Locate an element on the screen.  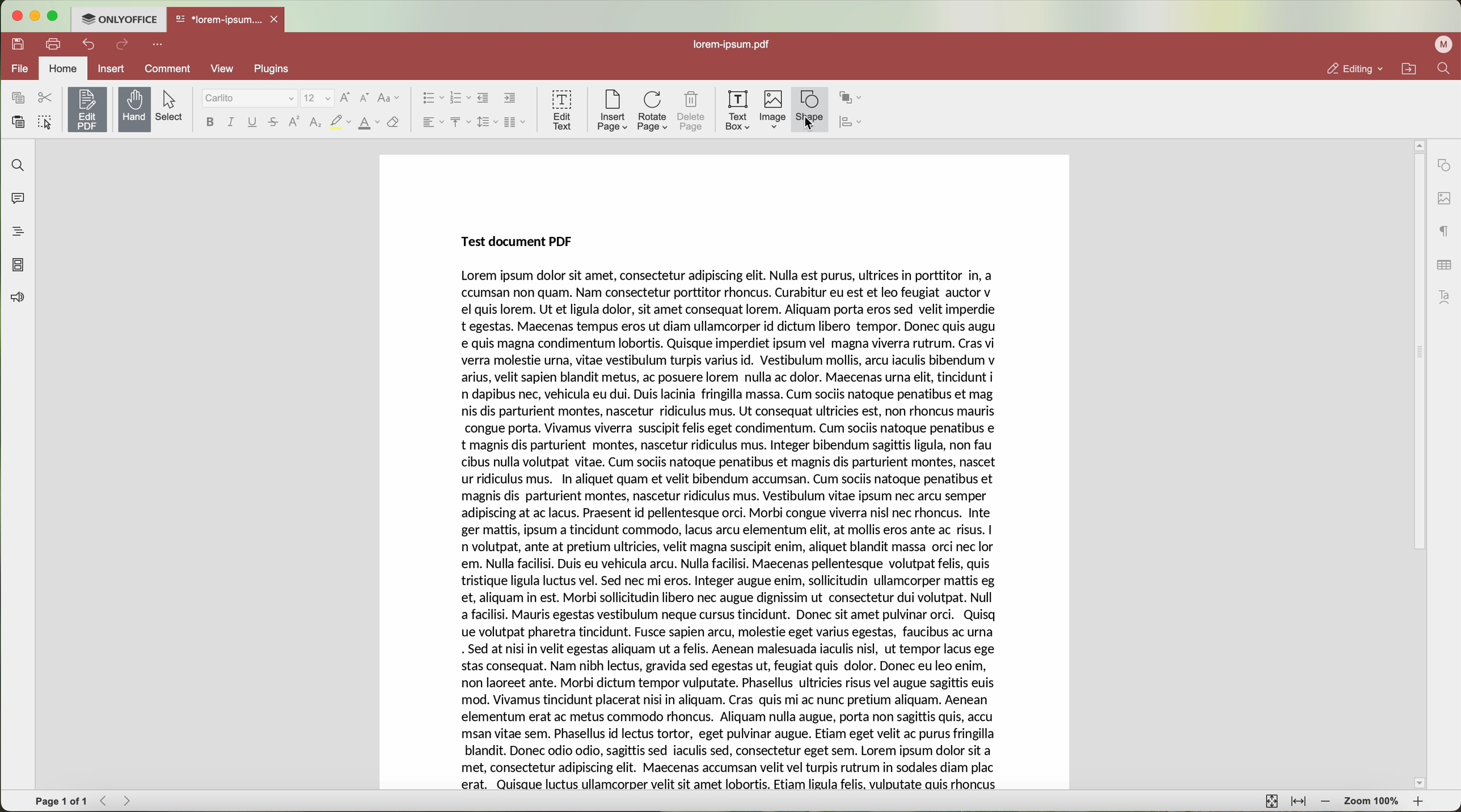
decrement font size is located at coordinates (364, 98).